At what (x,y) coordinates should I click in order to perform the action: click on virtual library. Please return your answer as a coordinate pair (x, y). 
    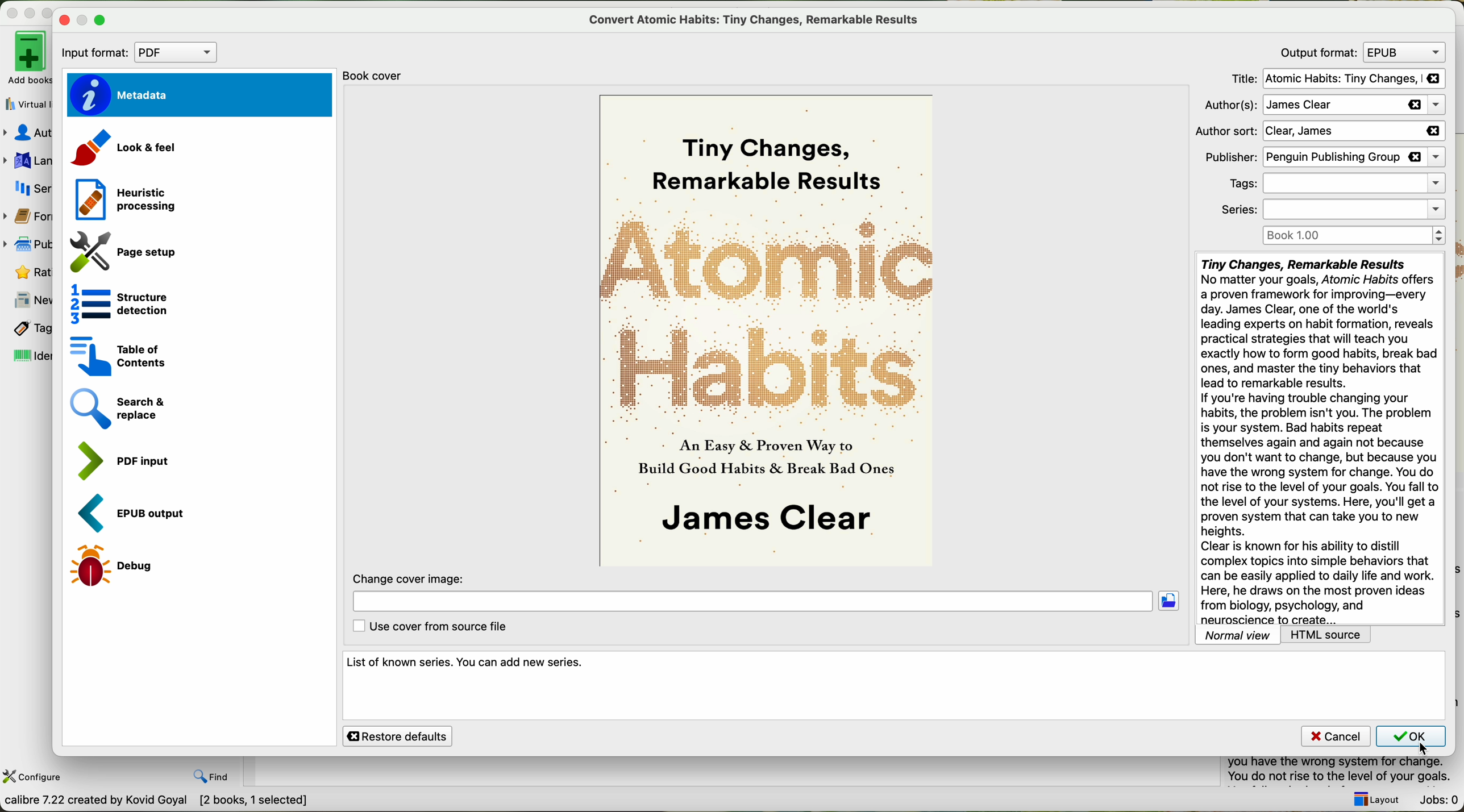
    Looking at the image, I should click on (26, 105).